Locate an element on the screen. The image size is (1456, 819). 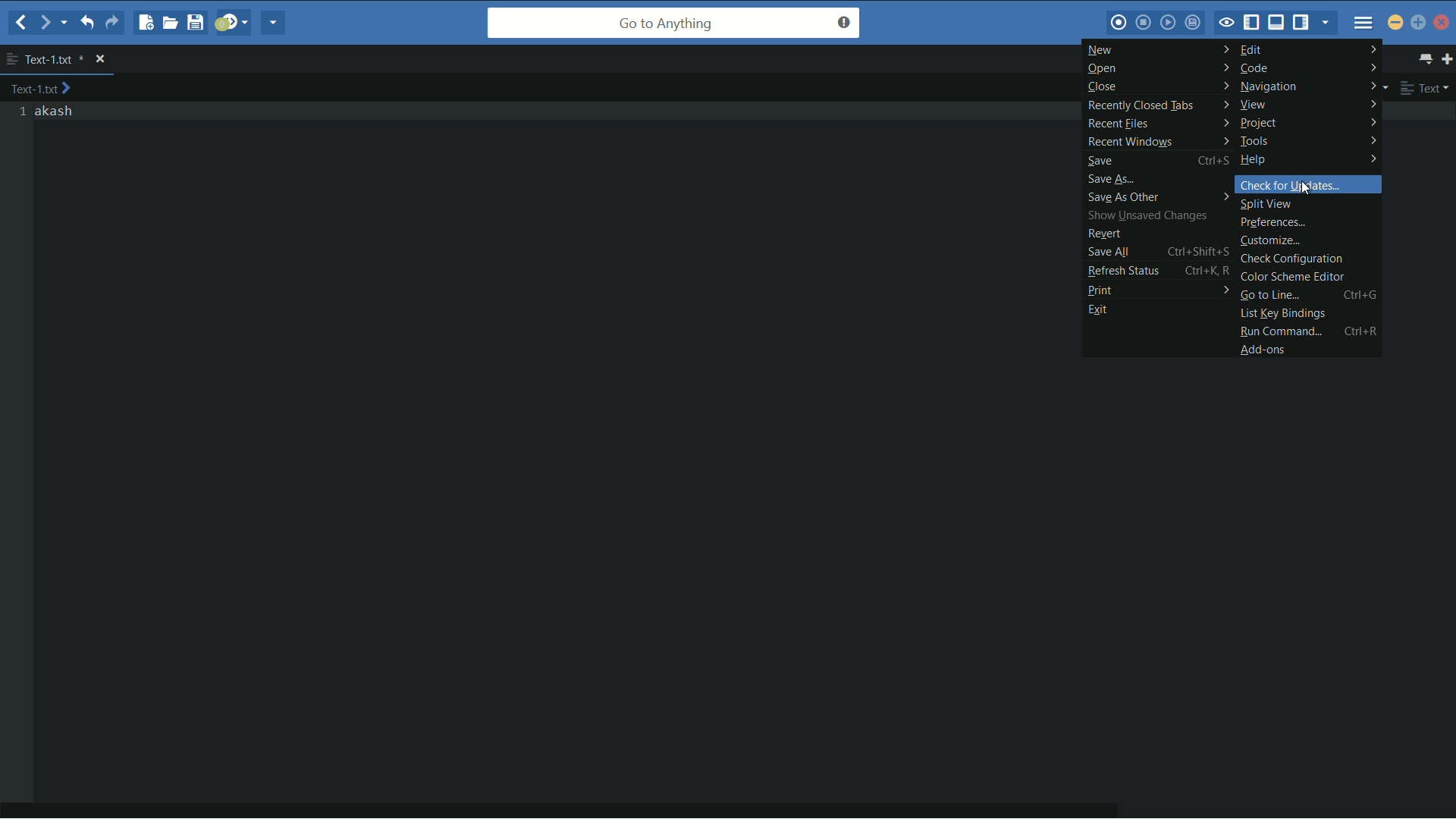
close file is located at coordinates (102, 60).